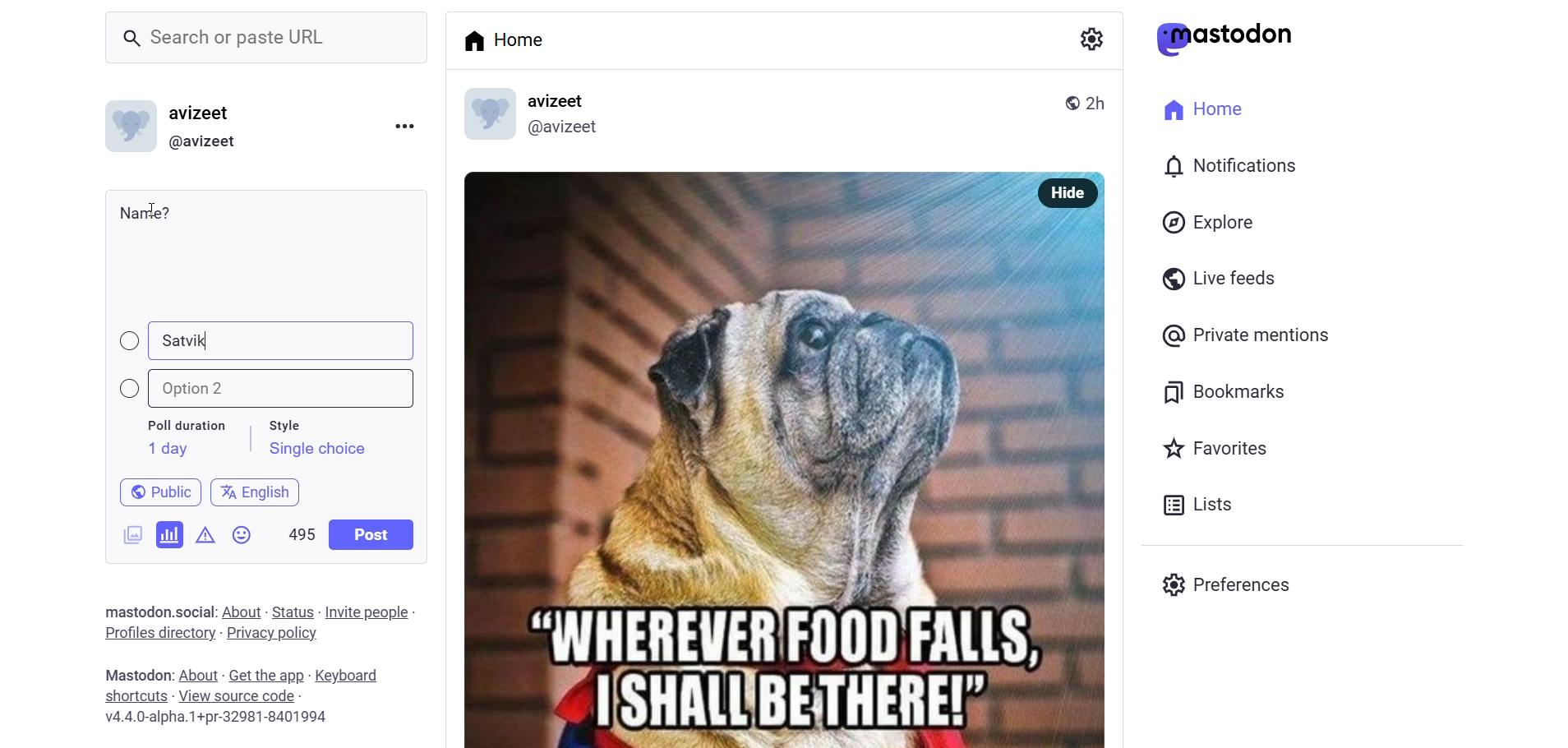  What do you see at coordinates (243, 538) in the screenshot?
I see `emoji` at bounding box center [243, 538].